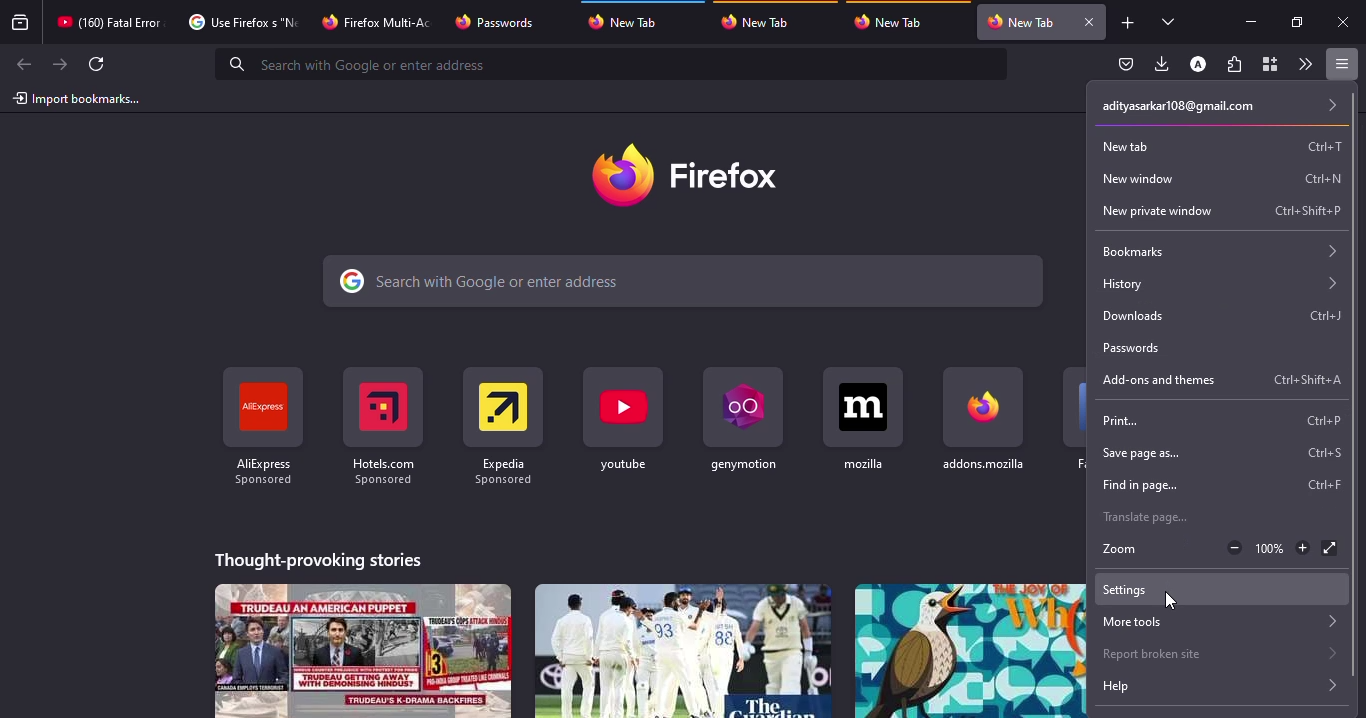  What do you see at coordinates (691, 175) in the screenshot?
I see `firefox` at bounding box center [691, 175].